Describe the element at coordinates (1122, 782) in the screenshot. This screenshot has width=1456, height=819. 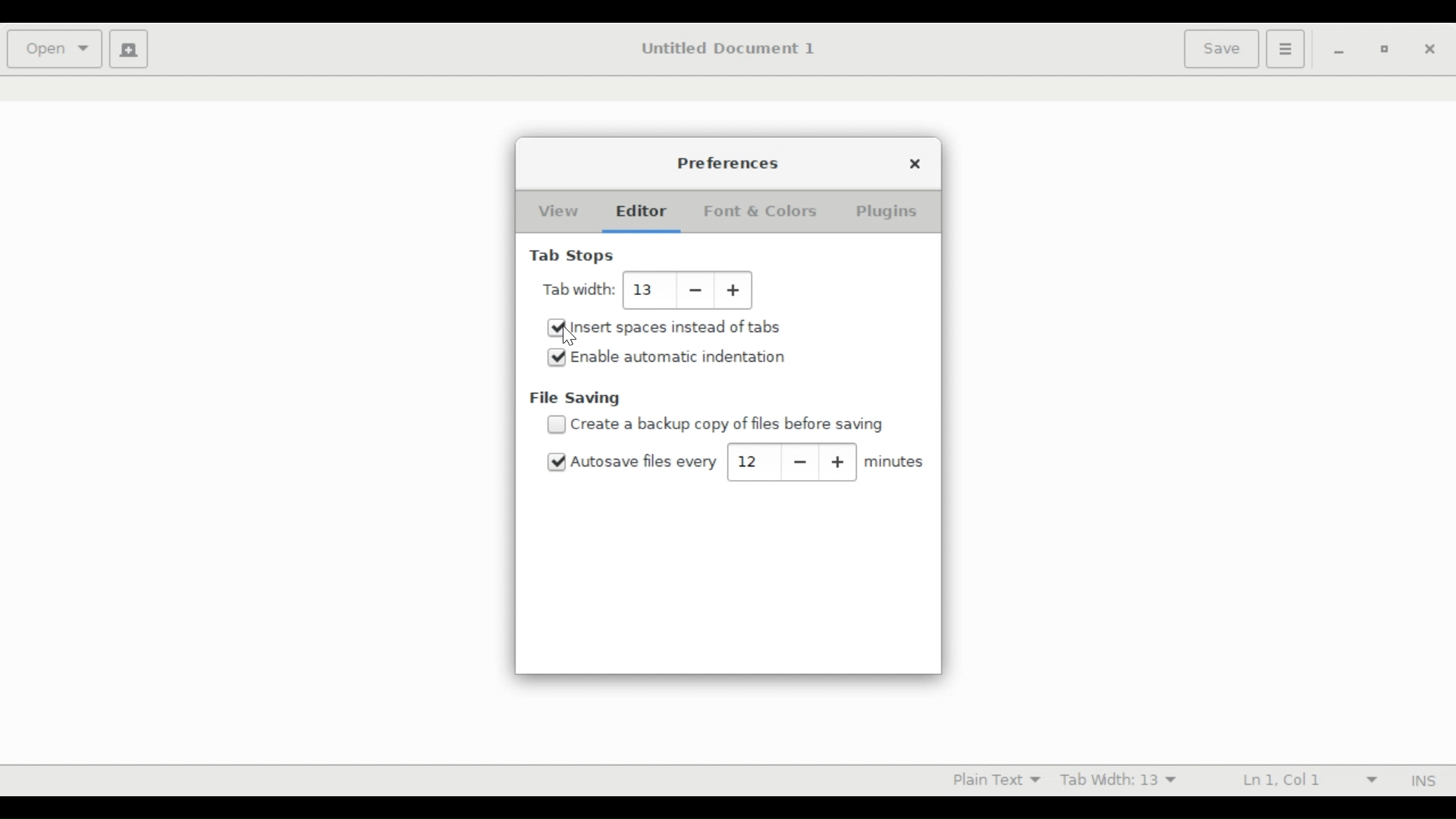
I see `Tab Width 13` at that location.